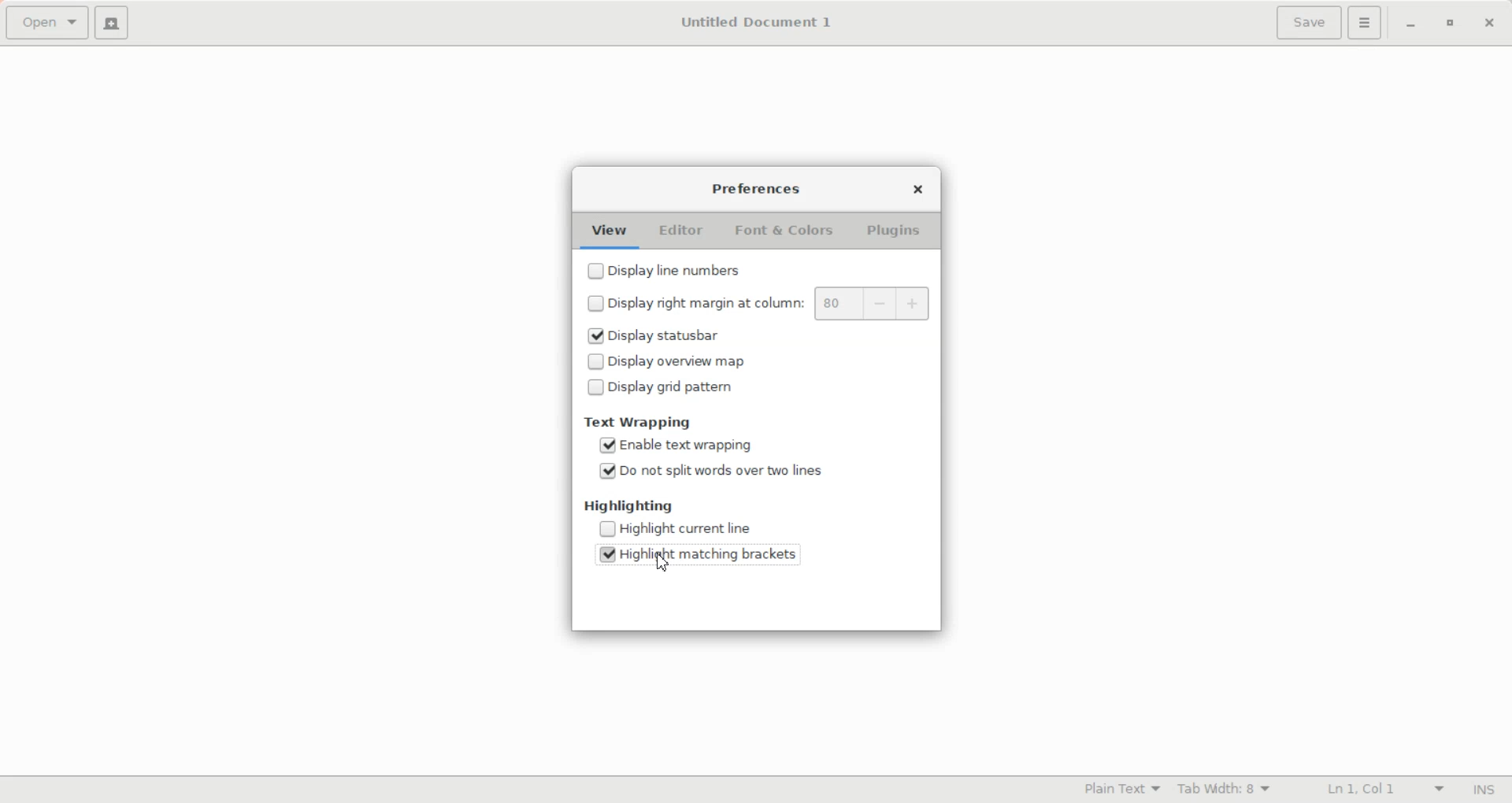 Image resolution: width=1512 pixels, height=803 pixels. Describe the element at coordinates (1489, 24) in the screenshot. I see `Close` at that location.